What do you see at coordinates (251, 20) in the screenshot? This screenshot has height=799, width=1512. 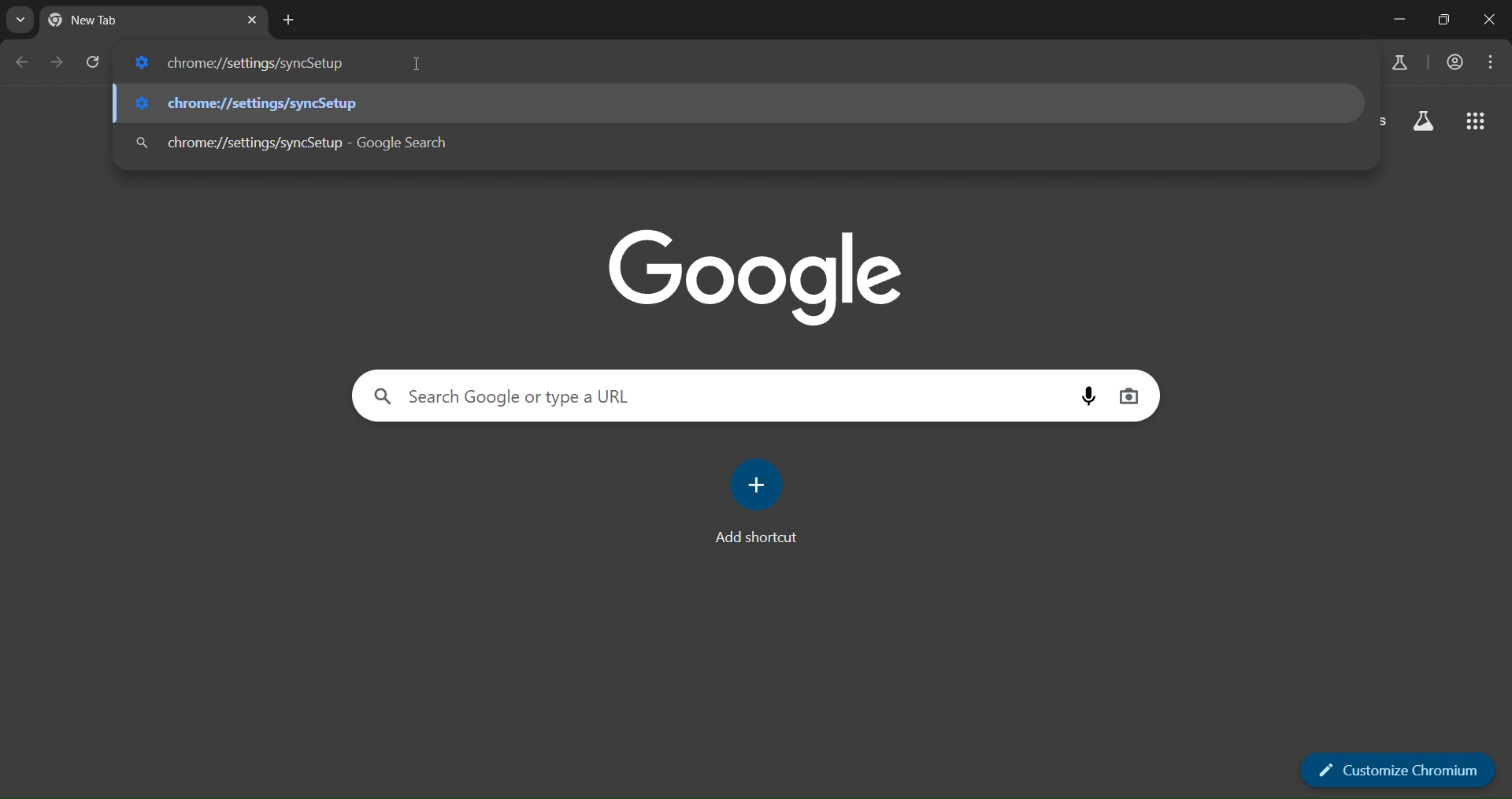 I see `close tab` at bounding box center [251, 20].